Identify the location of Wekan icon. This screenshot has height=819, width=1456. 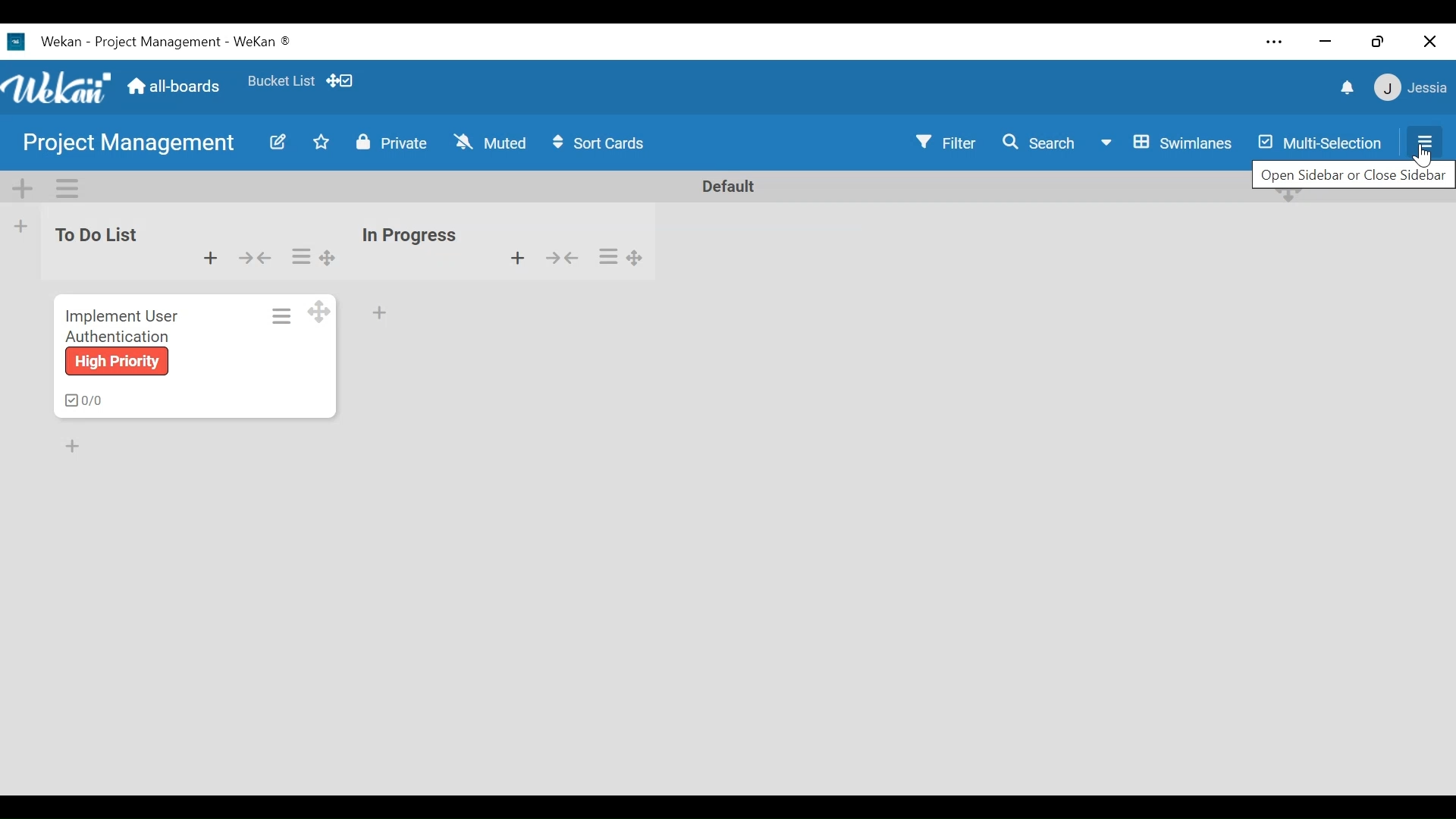
(19, 42).